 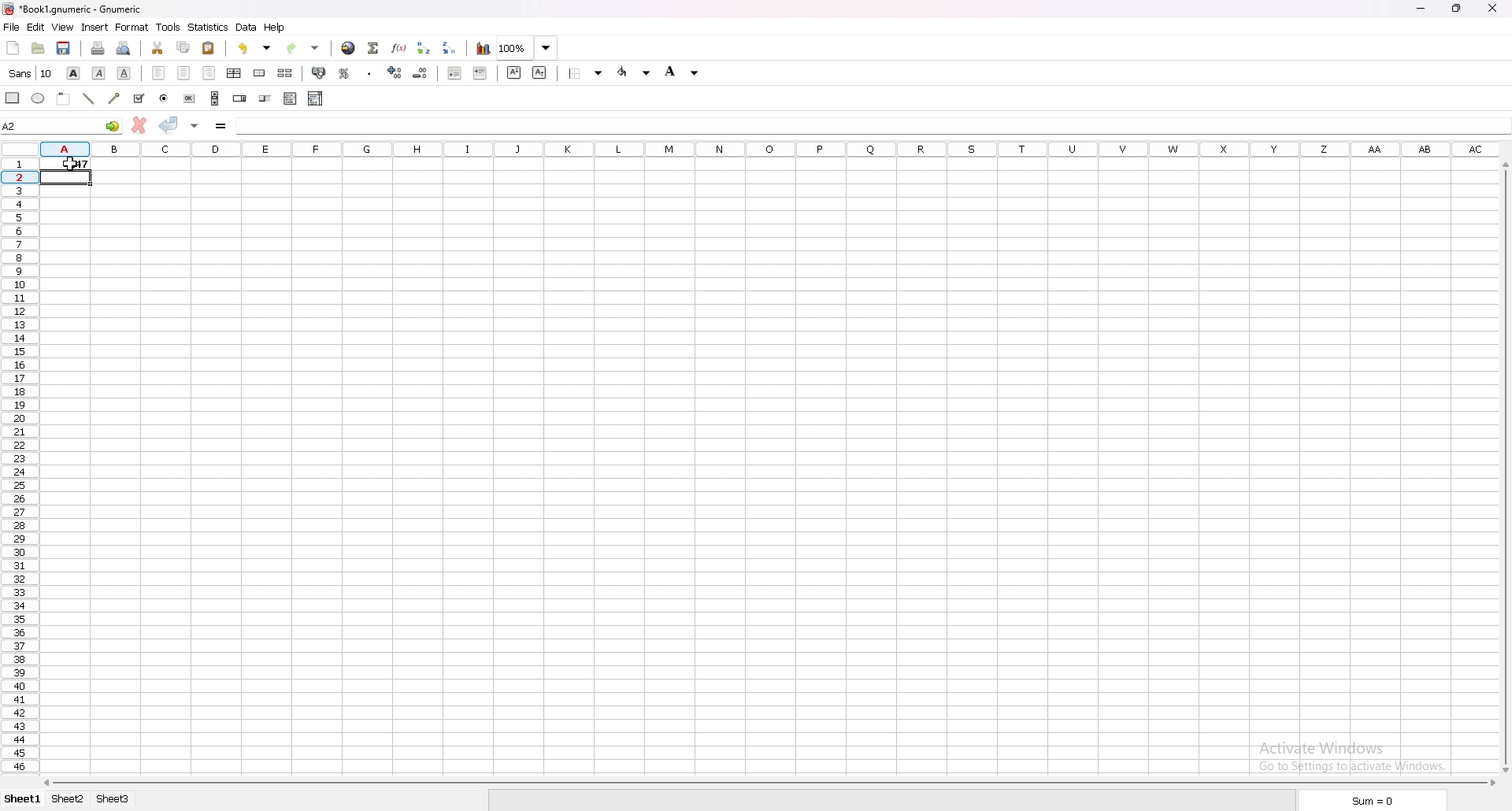 What do you see at coordinates (395, 72) in the screenshot?
I see `increase decimal` at bounding box center [395, 72].